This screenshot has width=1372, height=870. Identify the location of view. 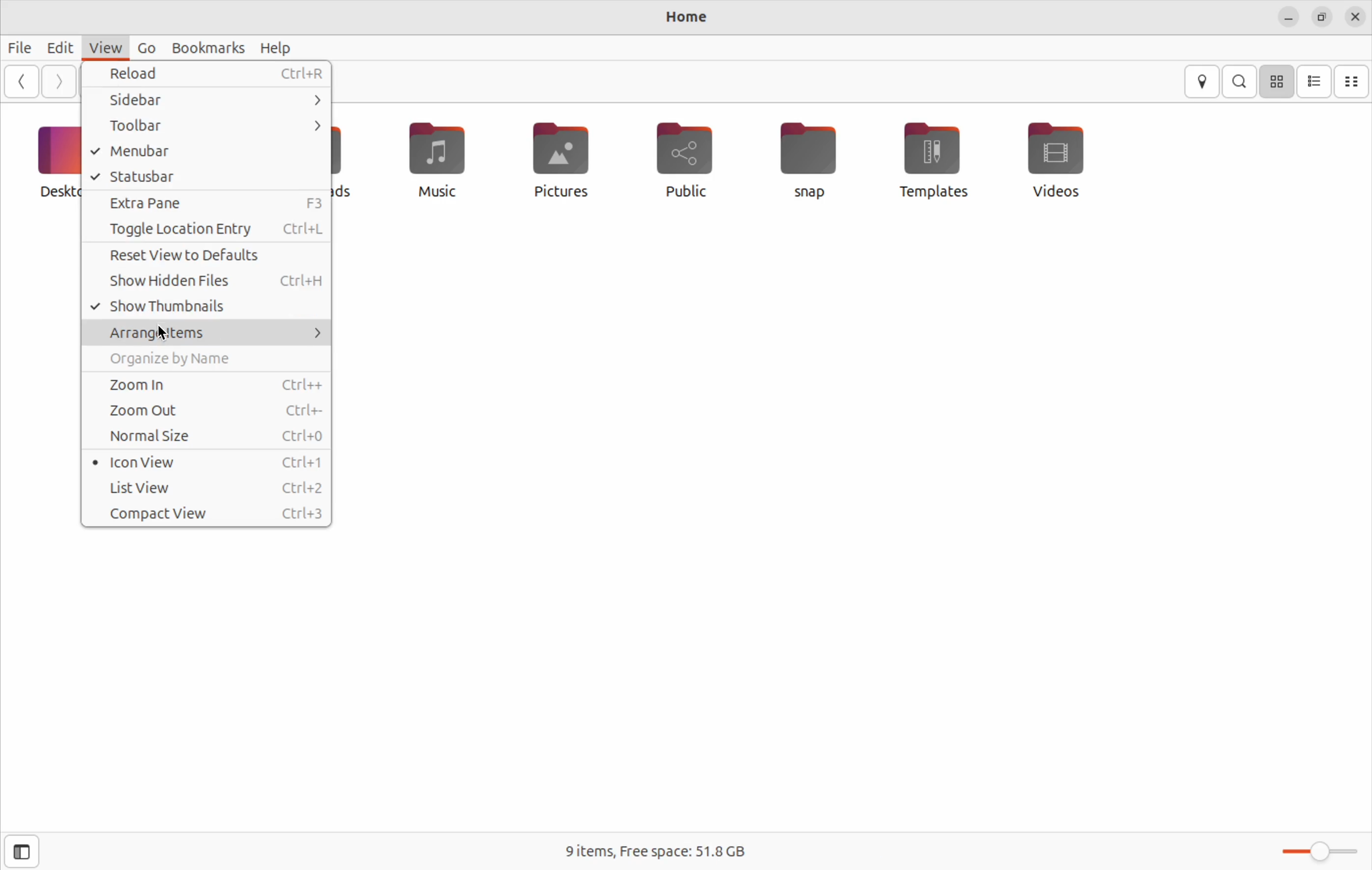
(104, 46).